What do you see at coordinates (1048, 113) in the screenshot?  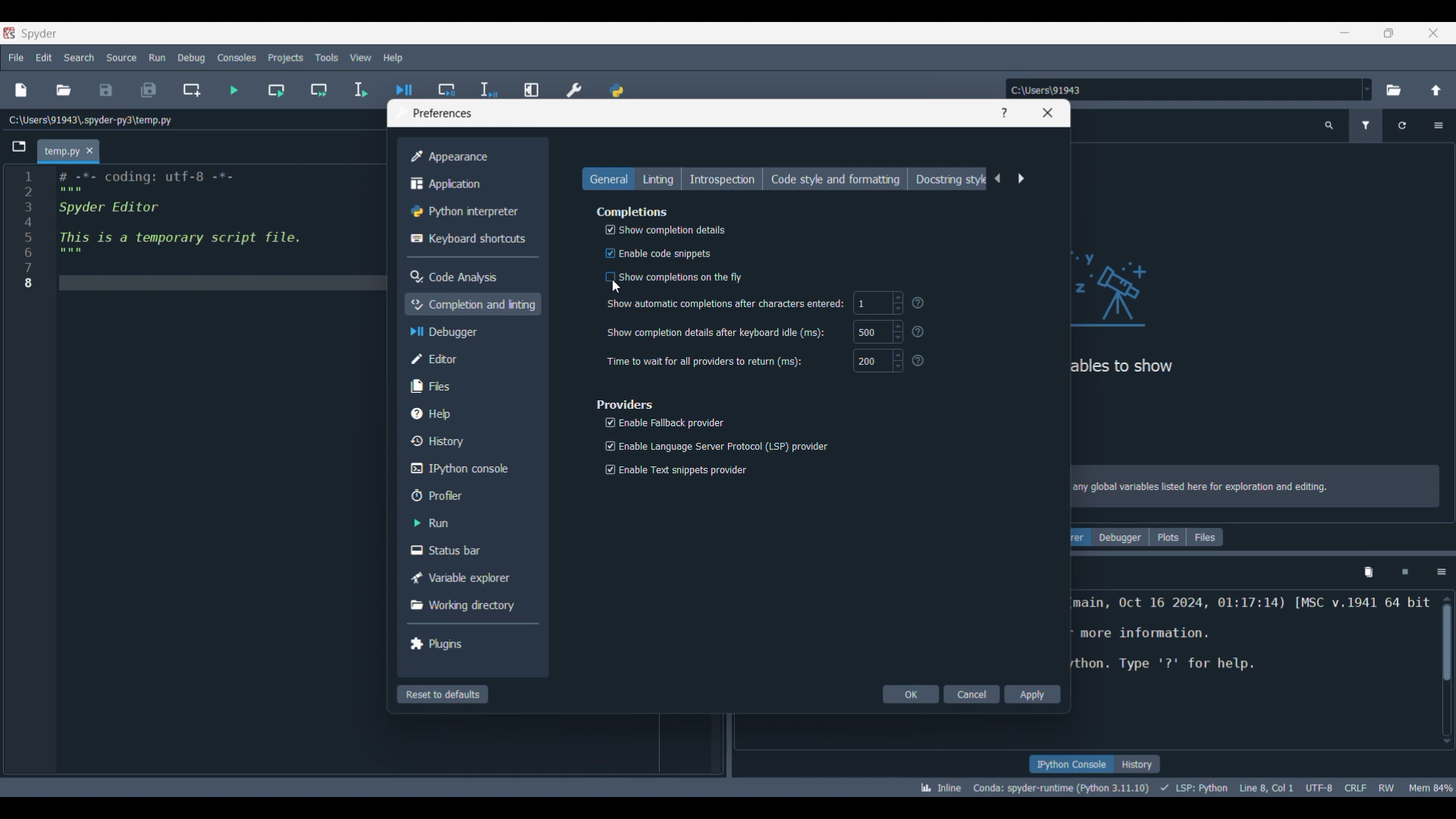 I see `Close window` at bounding box center [1048, 113].